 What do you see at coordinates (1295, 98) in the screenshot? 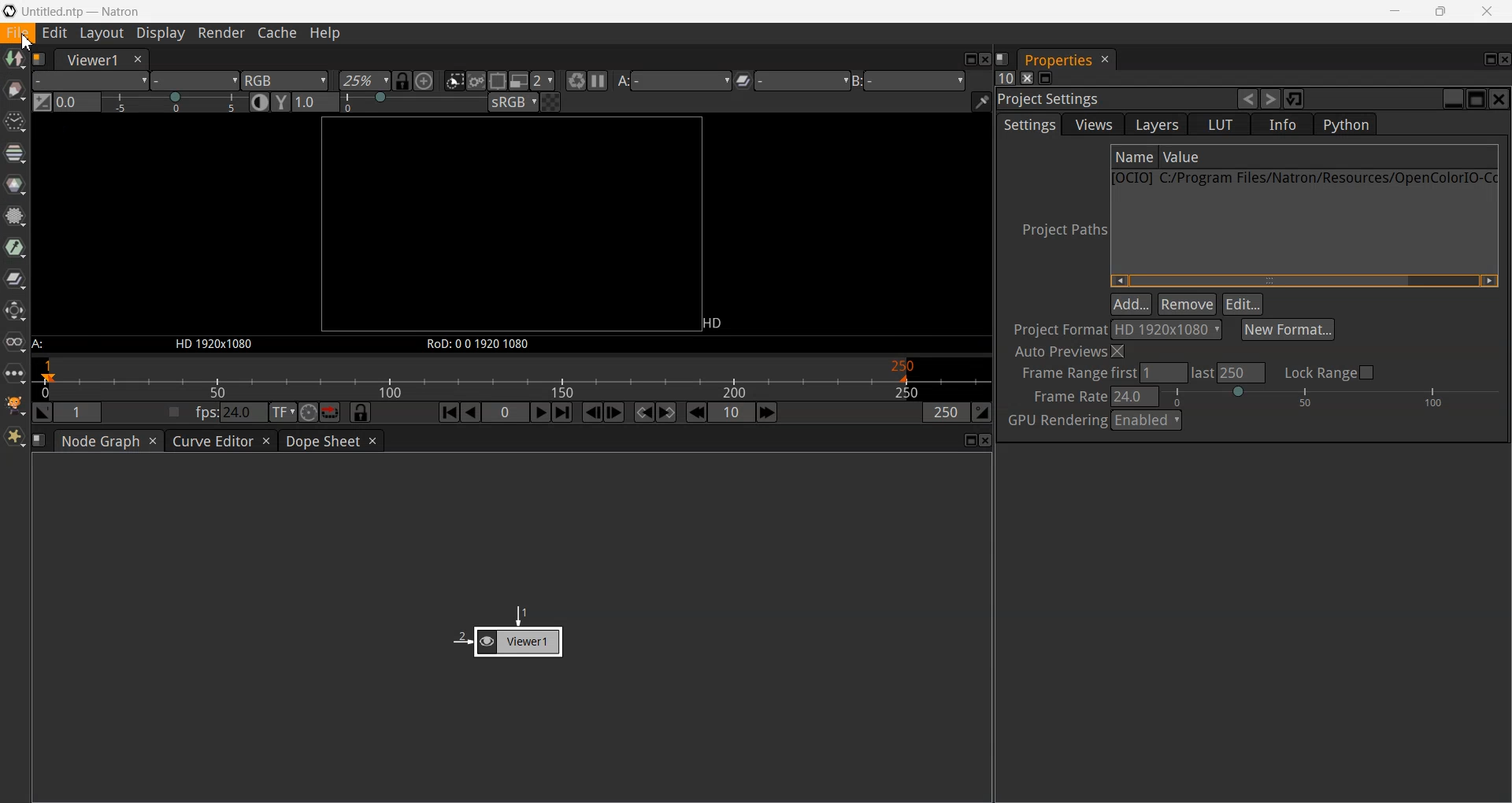
I see `Restore` at bounding box center [1295, 98].